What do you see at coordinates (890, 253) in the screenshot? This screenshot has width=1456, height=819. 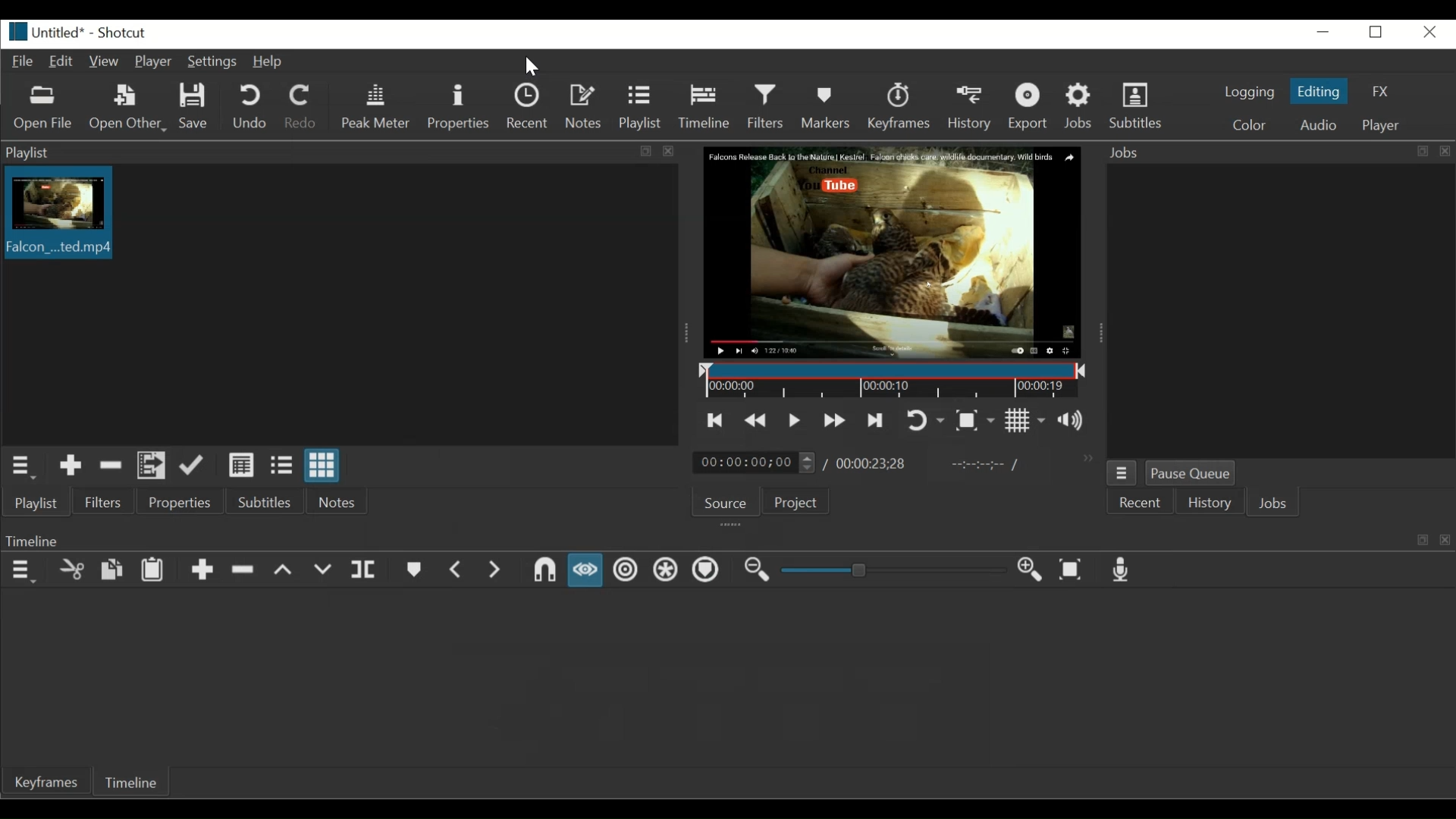 I see `Falcon Release Back to the Nature | Kestrel. Falcon chicks care wildlife documentary. Wild Birds. Channel. You tube(Media Viewer)` at bounding box center [890, 253].